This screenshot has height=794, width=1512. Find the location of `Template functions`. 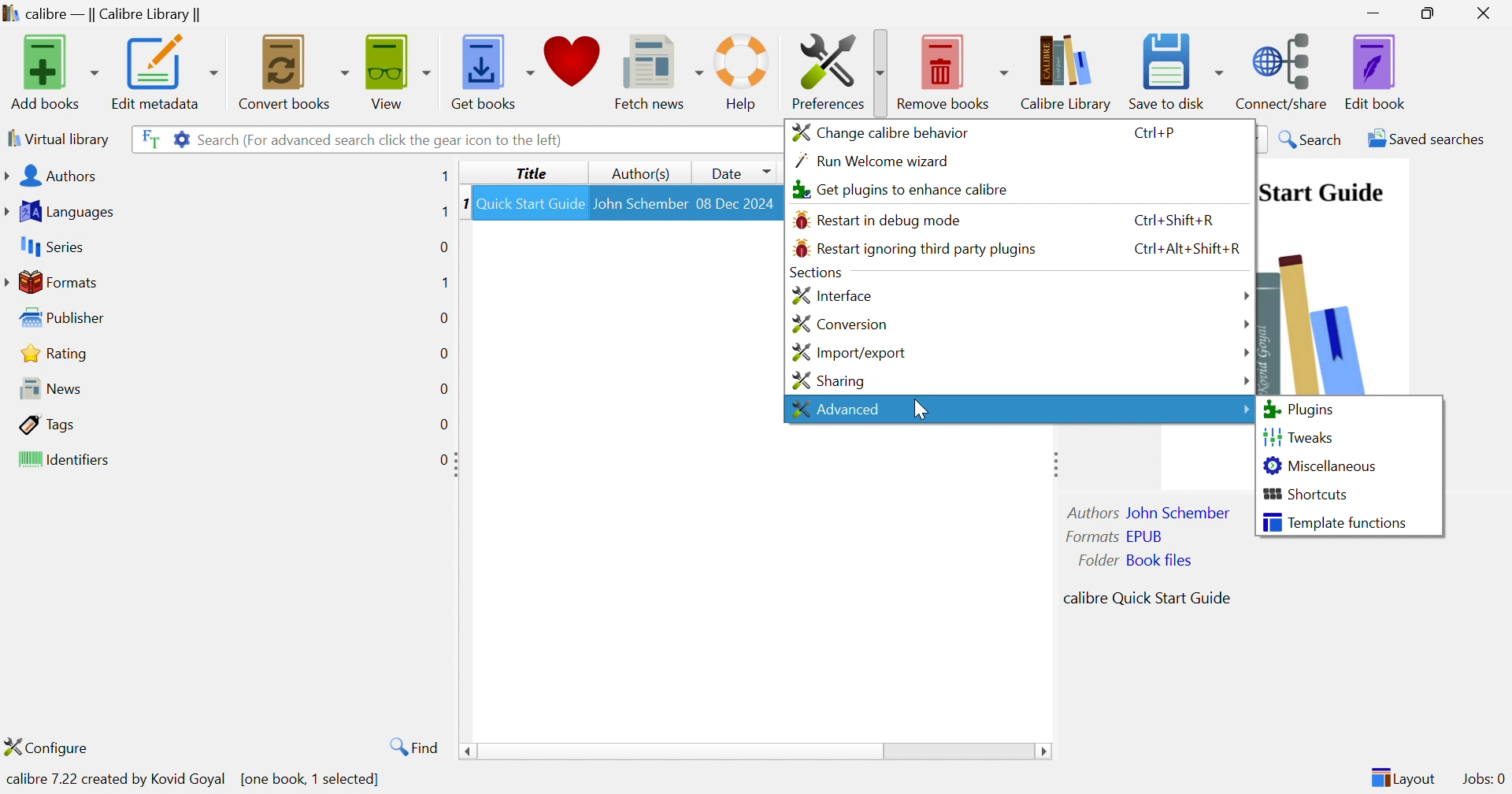

Template functions is located at coordinates (1335, 521).